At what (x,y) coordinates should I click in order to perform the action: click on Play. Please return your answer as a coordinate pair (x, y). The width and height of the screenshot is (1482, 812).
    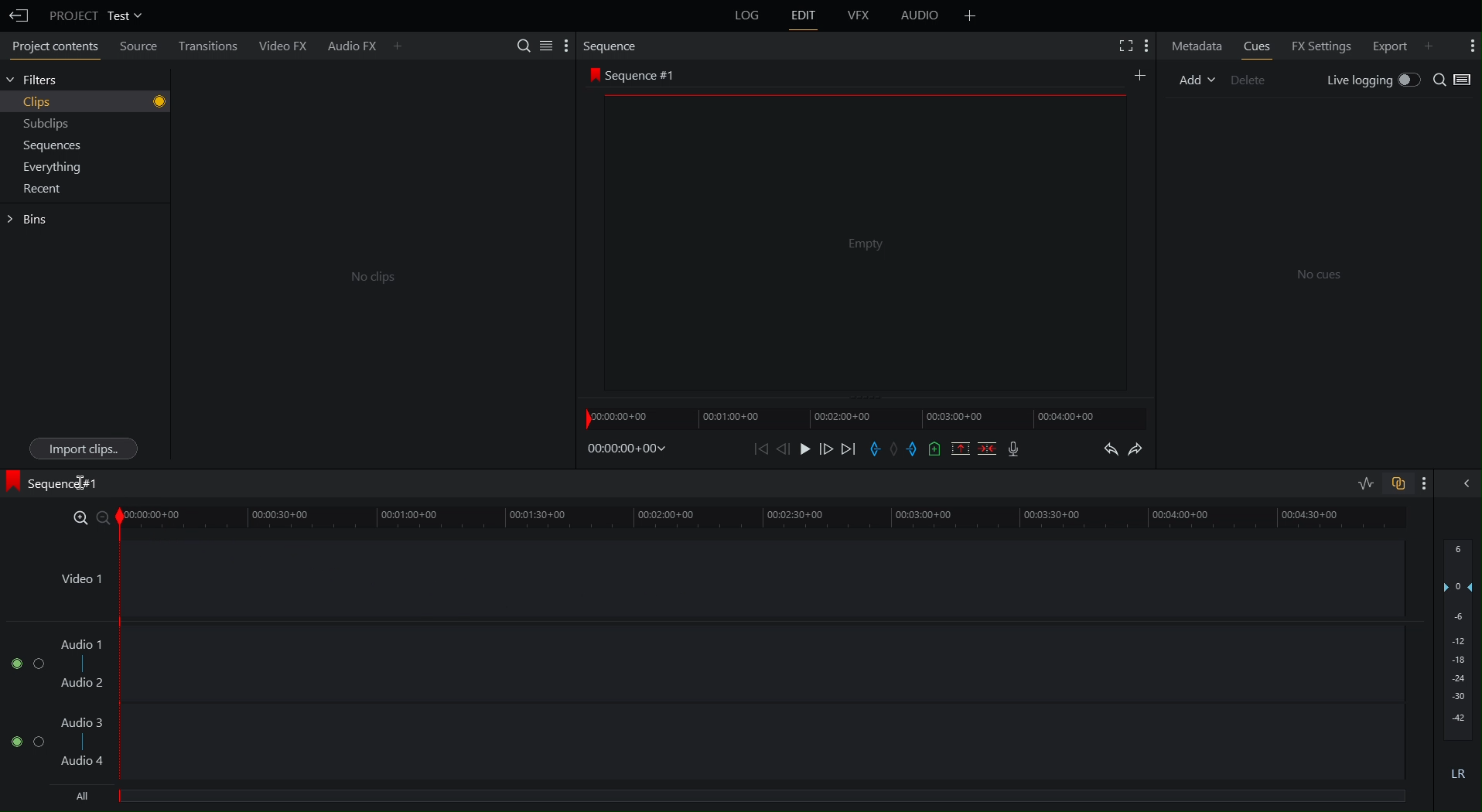
    Looking at the image, I should click on (804, 449).